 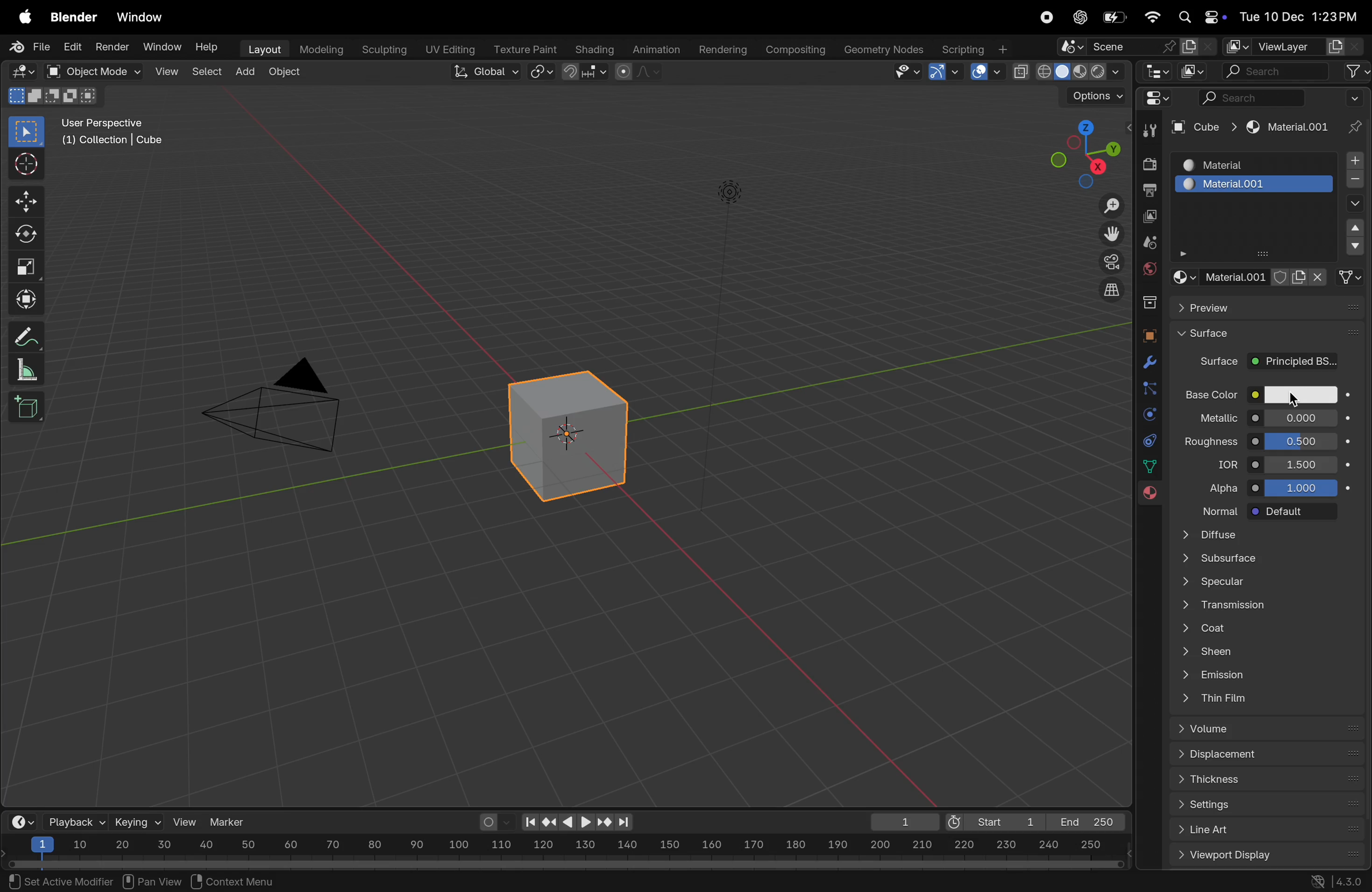 I want to click on view layer, so click(x=1284, y=44).